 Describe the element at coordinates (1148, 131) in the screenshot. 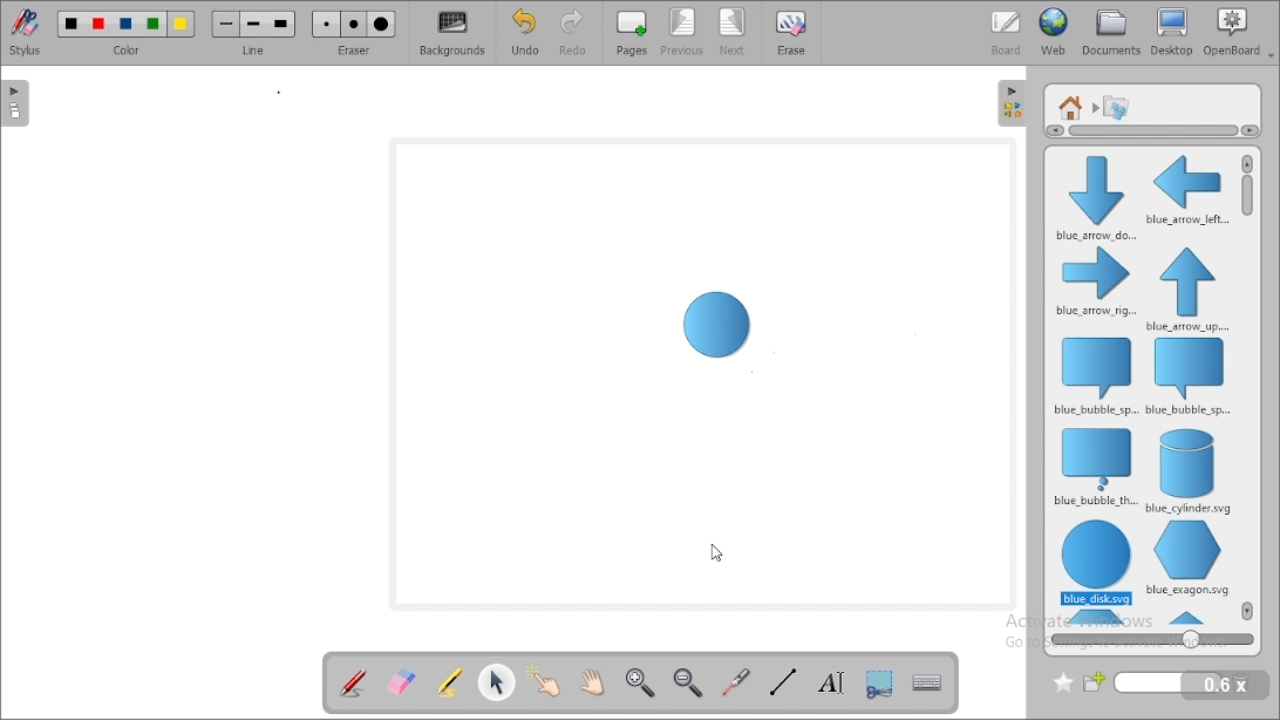

I see `horizontal scroll bar` at that location.